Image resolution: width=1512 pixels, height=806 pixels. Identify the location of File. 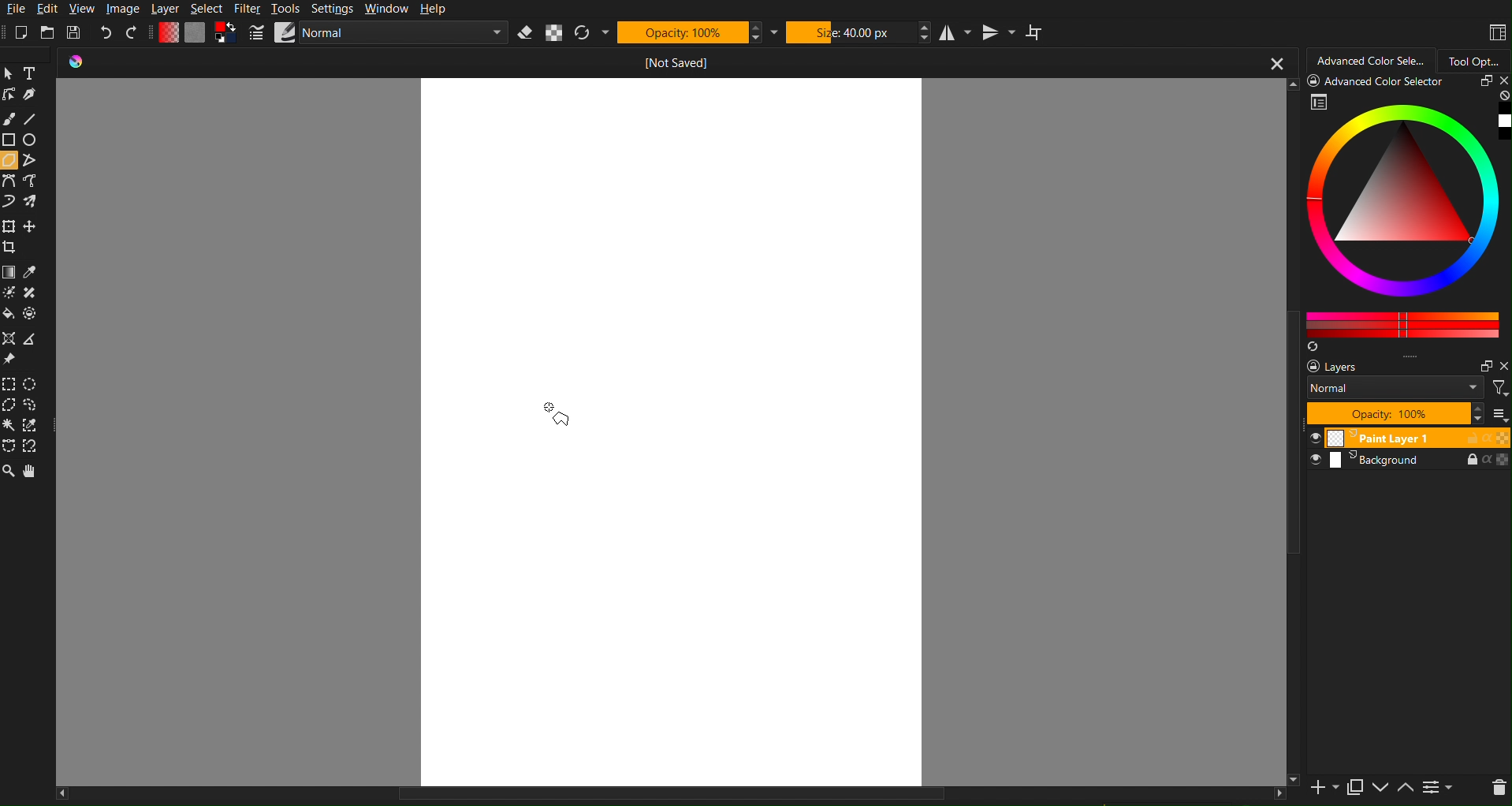
(14, 9).